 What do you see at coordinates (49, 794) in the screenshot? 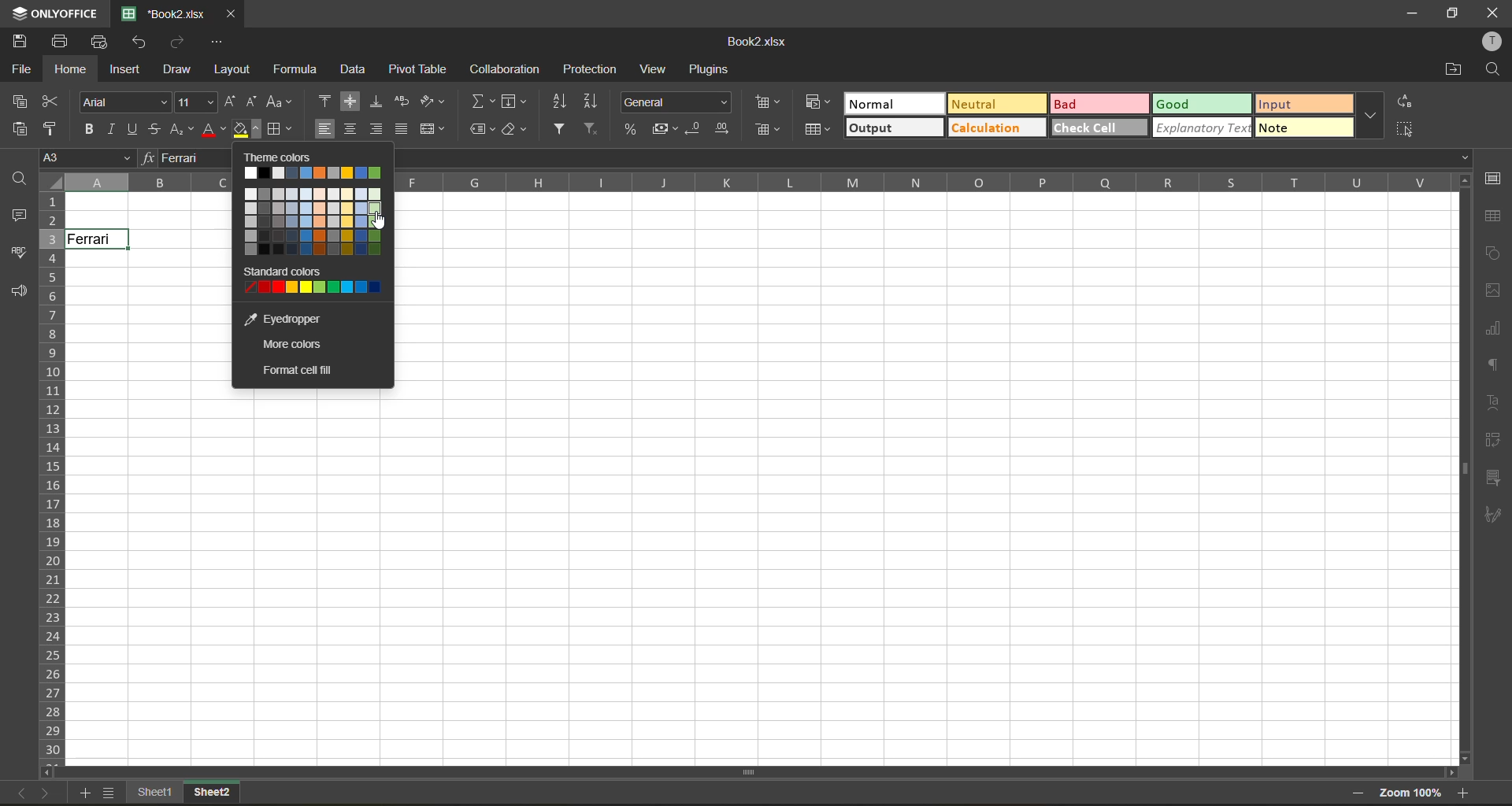
I see `next` at bounding box center [49, 794].